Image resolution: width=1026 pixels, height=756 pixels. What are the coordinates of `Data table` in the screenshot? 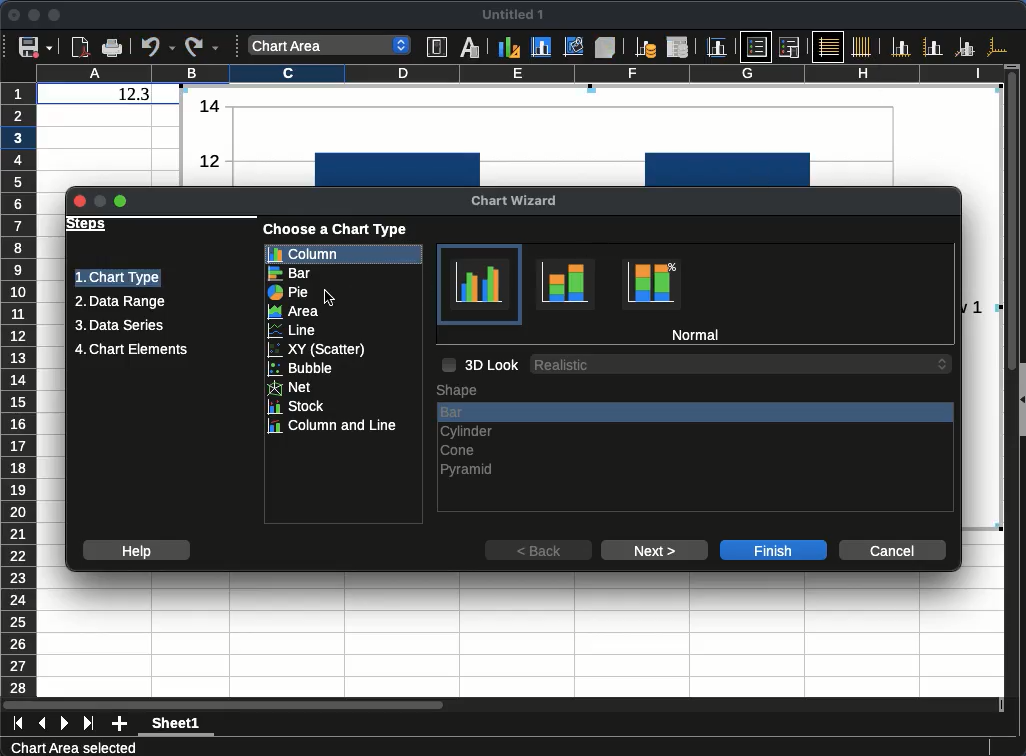 It's located at (678, 47).